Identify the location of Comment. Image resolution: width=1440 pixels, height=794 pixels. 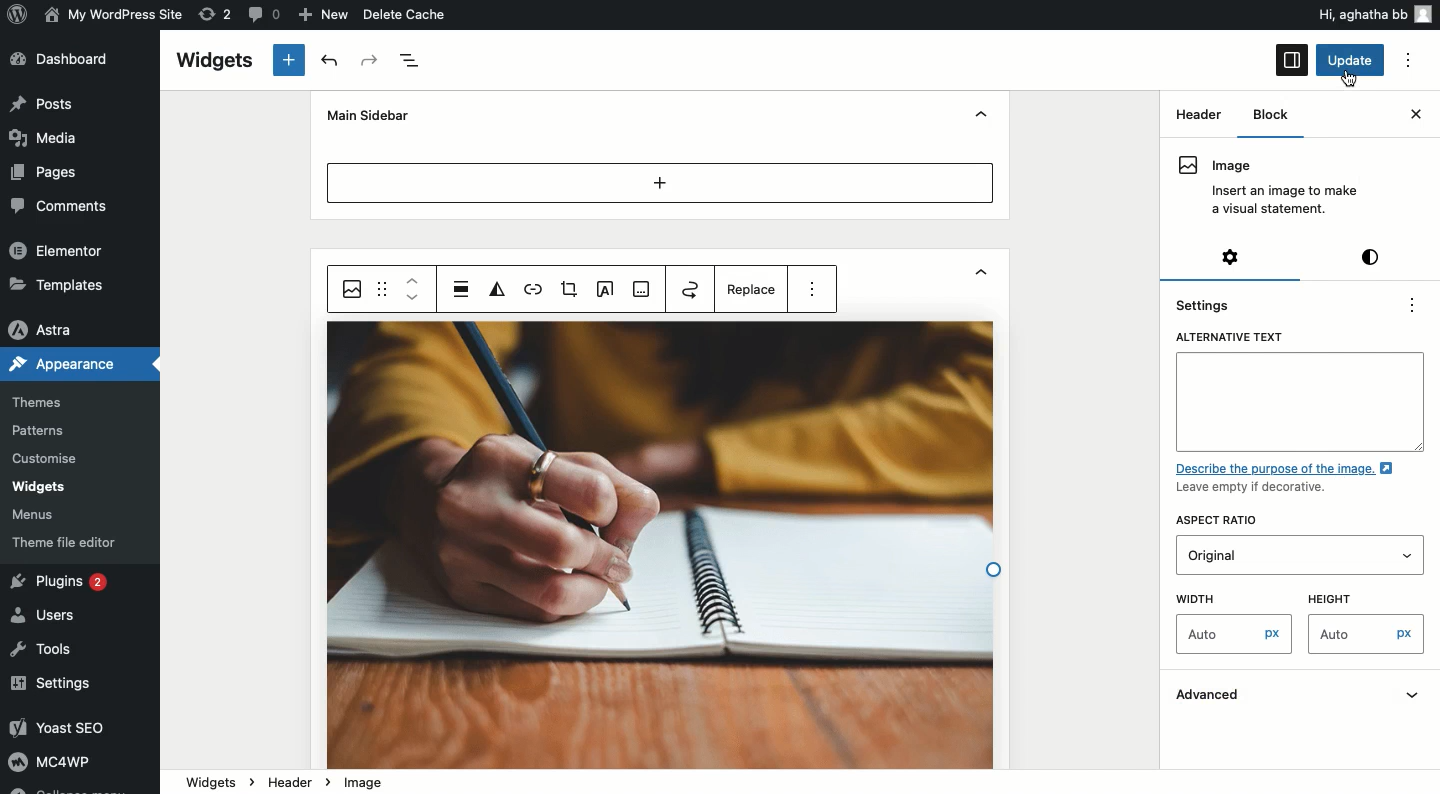
(261, 13).